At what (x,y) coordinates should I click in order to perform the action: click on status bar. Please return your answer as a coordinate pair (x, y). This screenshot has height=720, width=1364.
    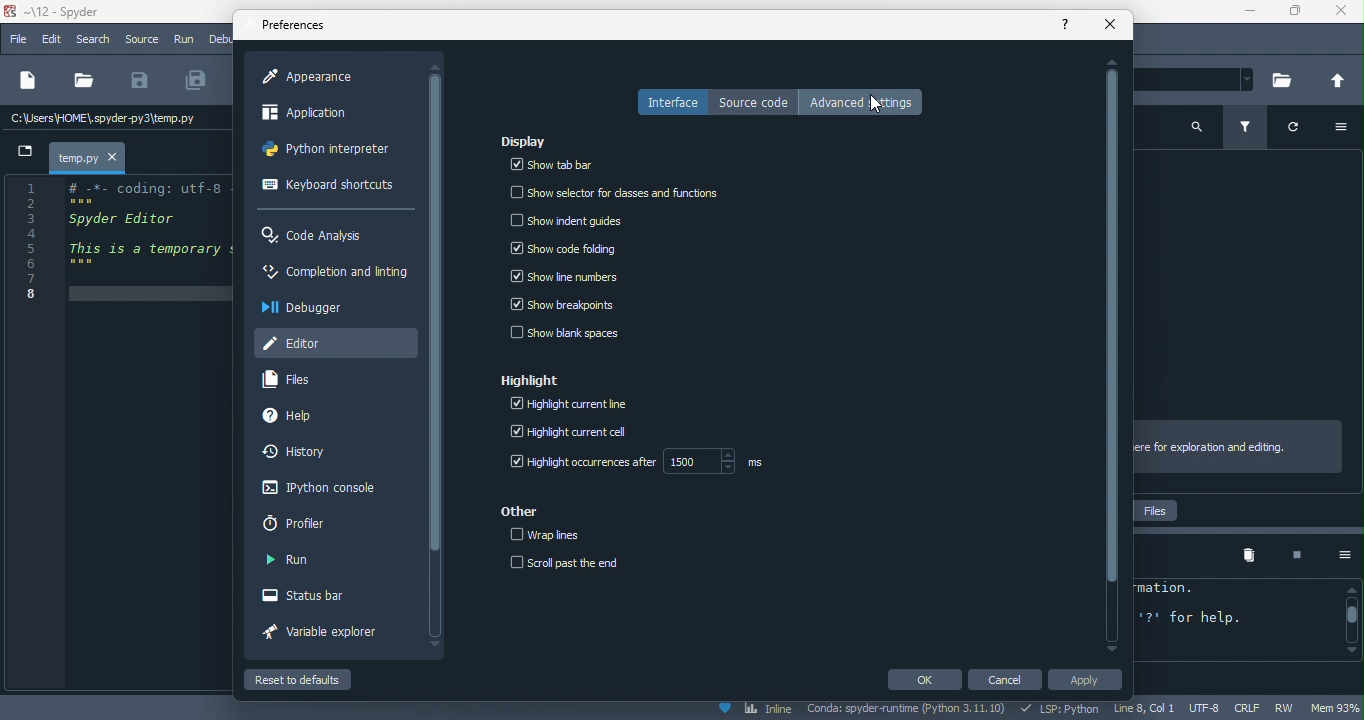
    Looking at the image, I should click on (316, 597).